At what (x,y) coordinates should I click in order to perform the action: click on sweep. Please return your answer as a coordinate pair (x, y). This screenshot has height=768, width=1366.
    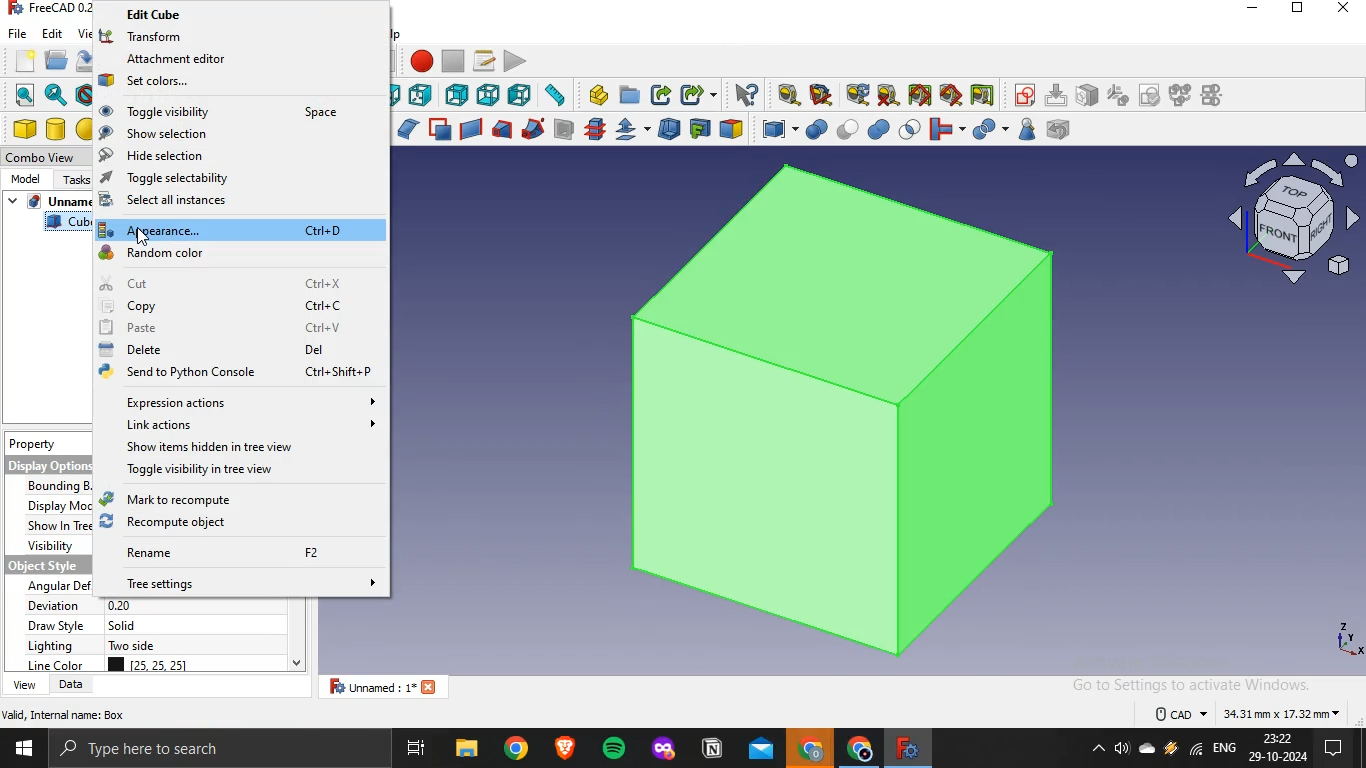
    Looking at the image, I should click on (533, 128).